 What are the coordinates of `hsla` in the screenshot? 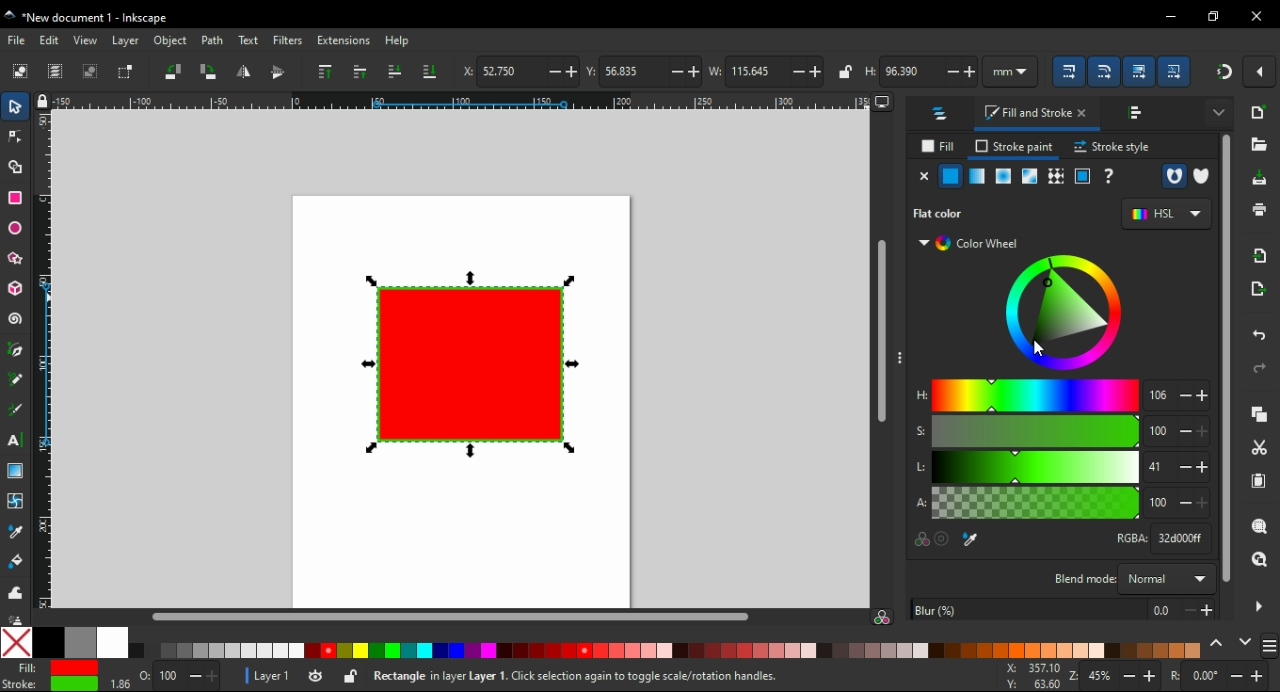 It's located at (918, 447).